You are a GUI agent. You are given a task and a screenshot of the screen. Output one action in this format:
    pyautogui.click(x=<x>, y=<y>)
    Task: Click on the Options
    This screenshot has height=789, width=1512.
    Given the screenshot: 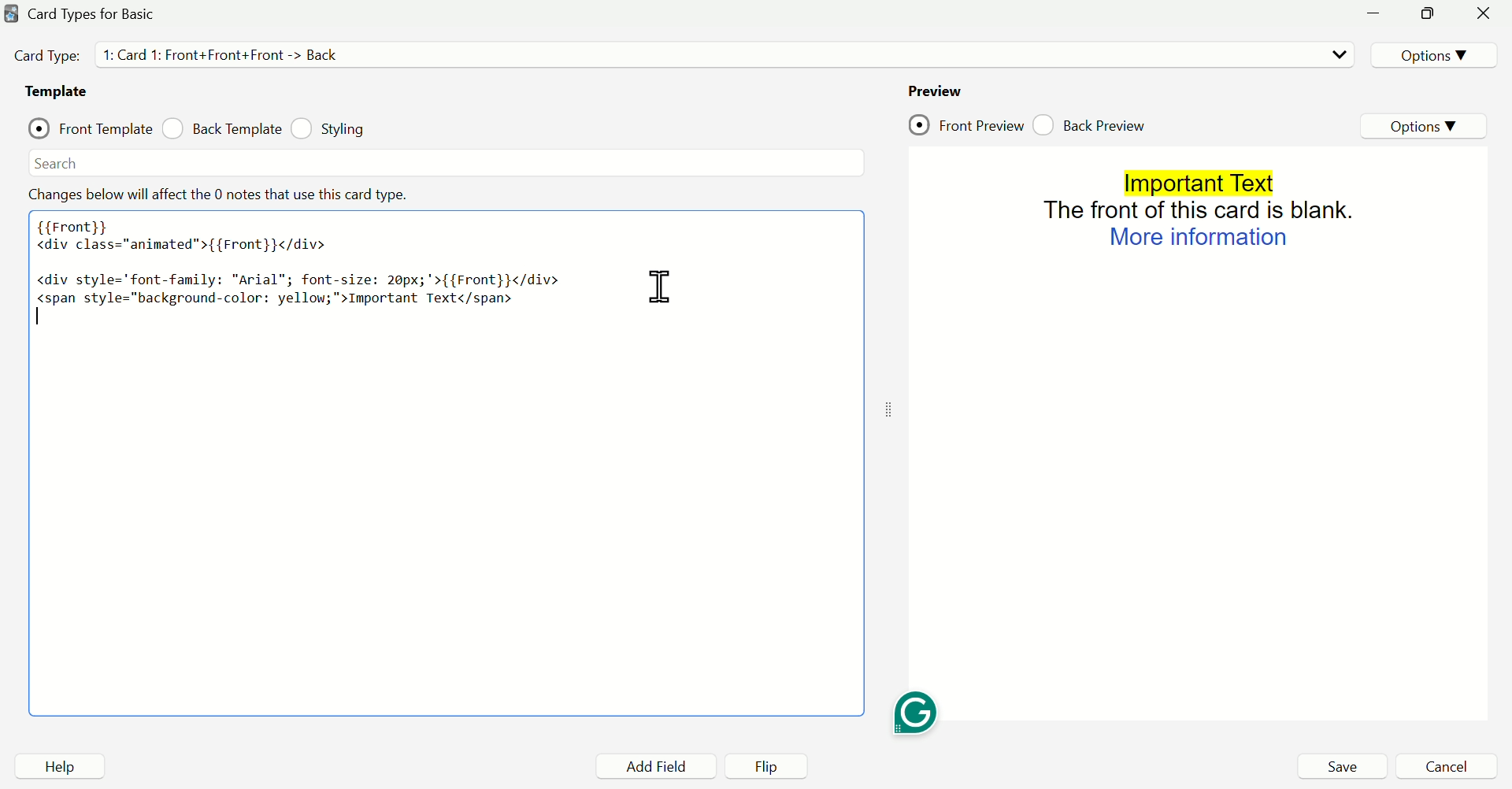 What is the action you would take?
    pyautogui.click(x=1425, y=124)
    